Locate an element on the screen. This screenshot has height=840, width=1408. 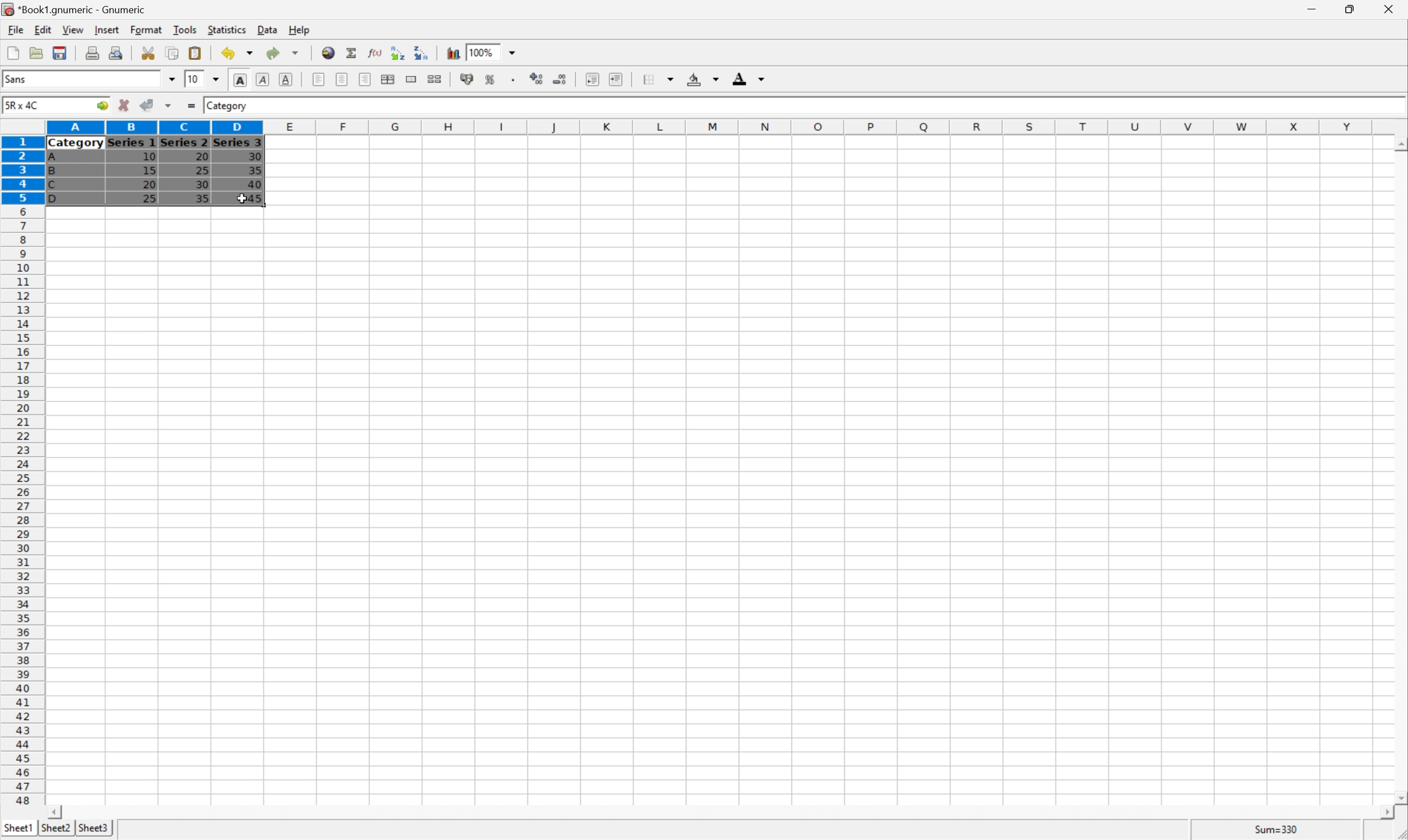
Cut selection is located at coordinates (149, 53).